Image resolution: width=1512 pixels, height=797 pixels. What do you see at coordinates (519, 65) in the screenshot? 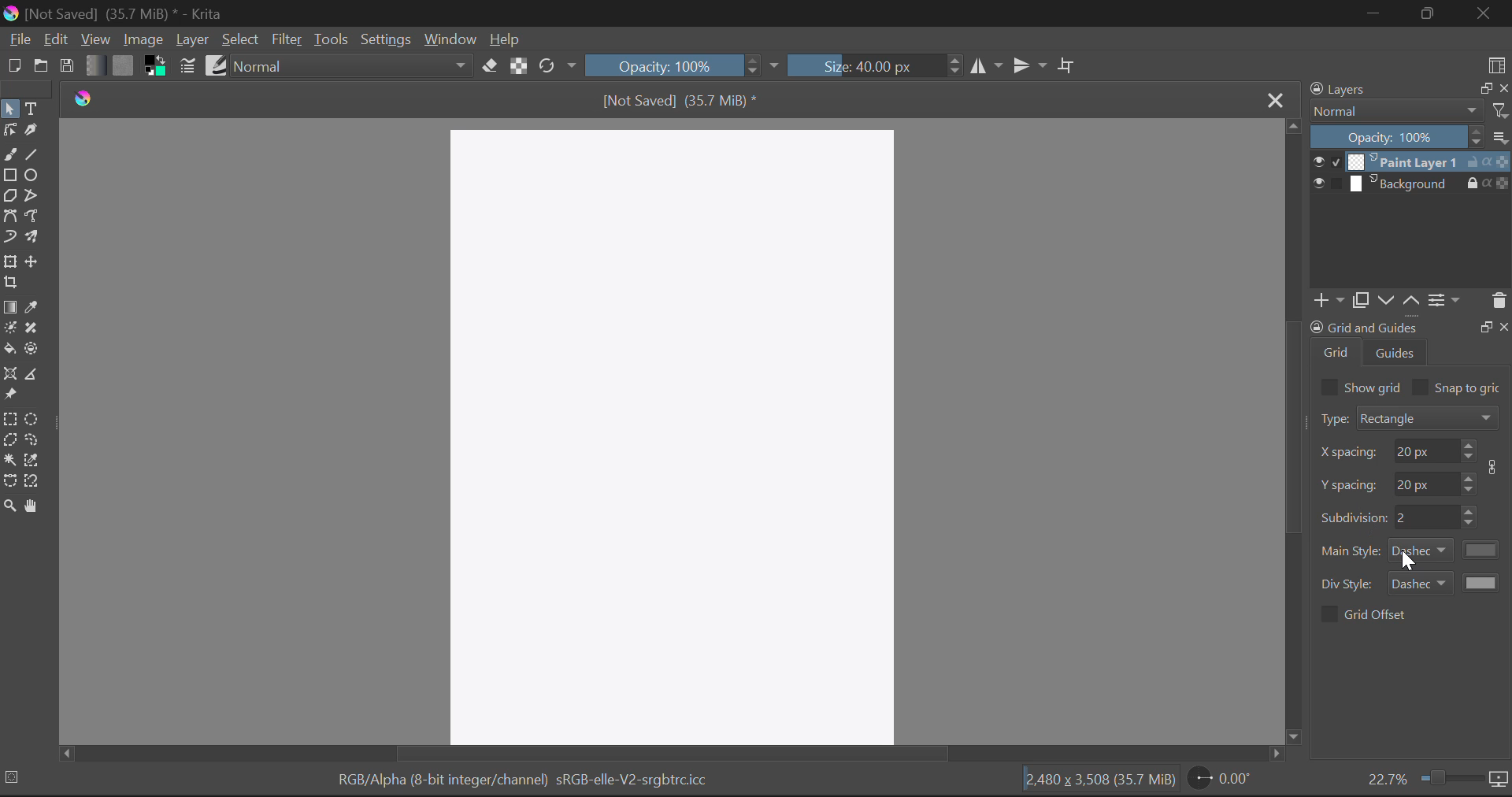
I see `Lock Alpha` at bounding box center [519, 65].